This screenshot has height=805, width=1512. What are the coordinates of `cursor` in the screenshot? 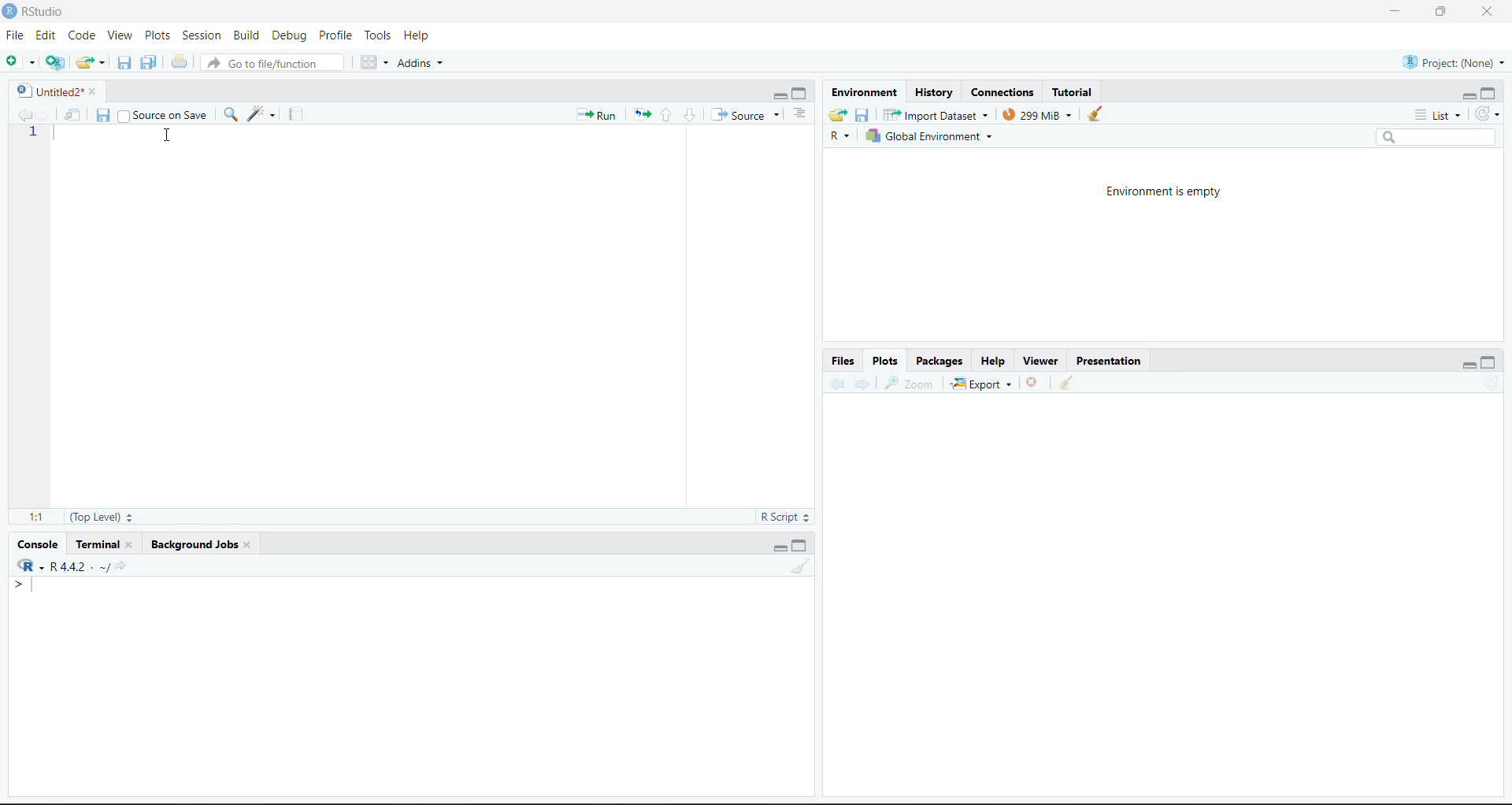 It's located at (169, 134).